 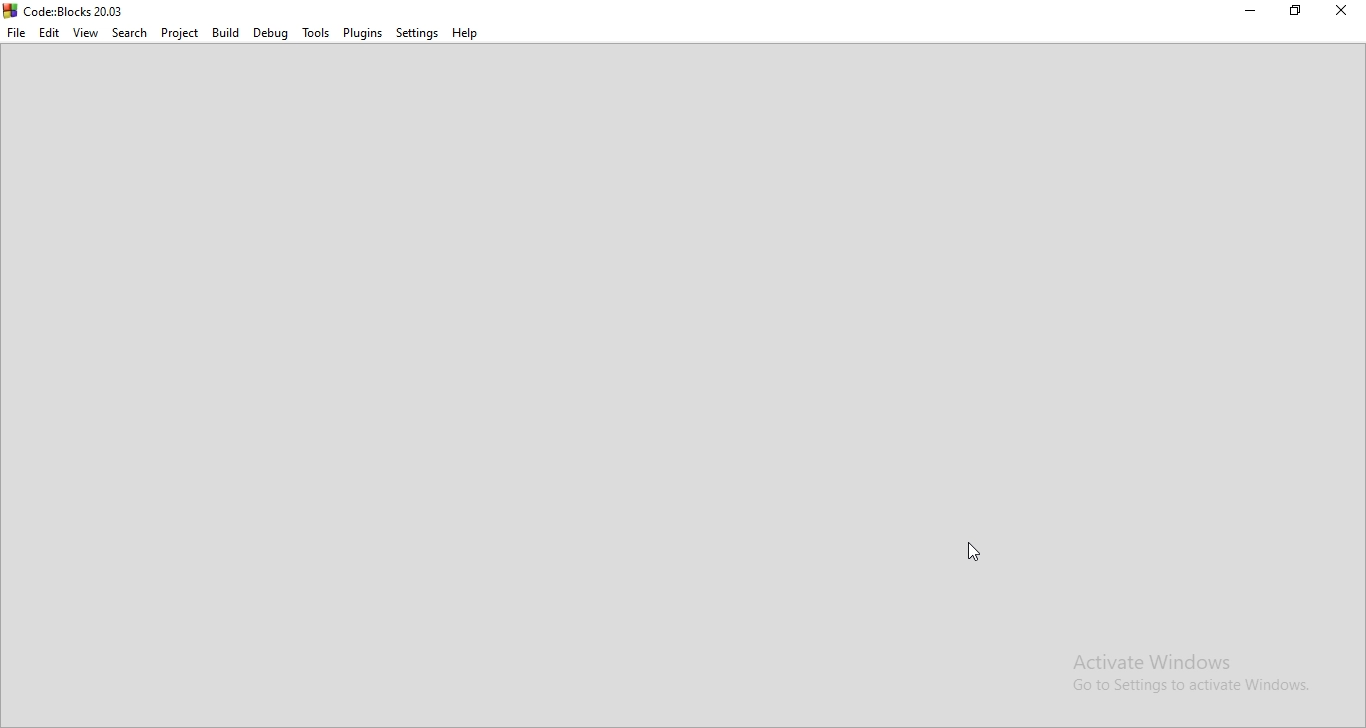 What do you see at coordinates (271, 33) in the screenshot?
I see `Debug ` at bounding box center [271, 33].